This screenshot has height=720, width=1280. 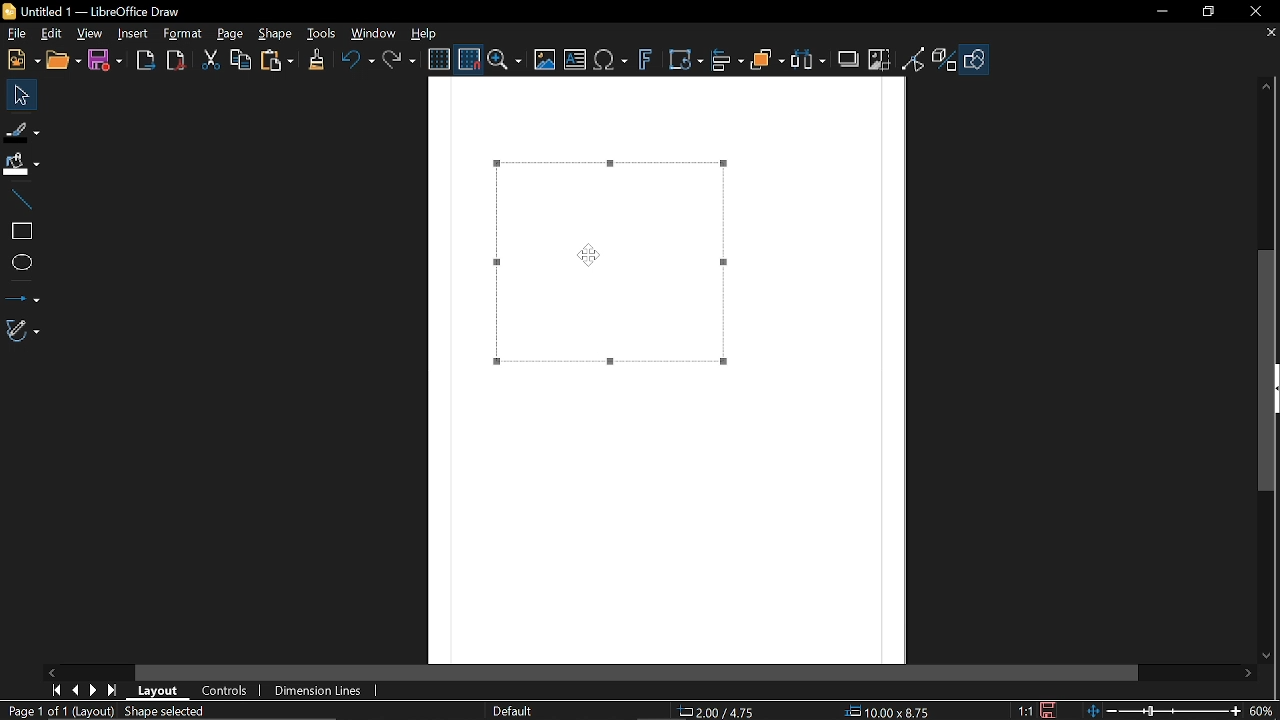 What do you see at coordinates (401, 59) in the screenshot?
I see `Redo` at bounding box center [401, 59].